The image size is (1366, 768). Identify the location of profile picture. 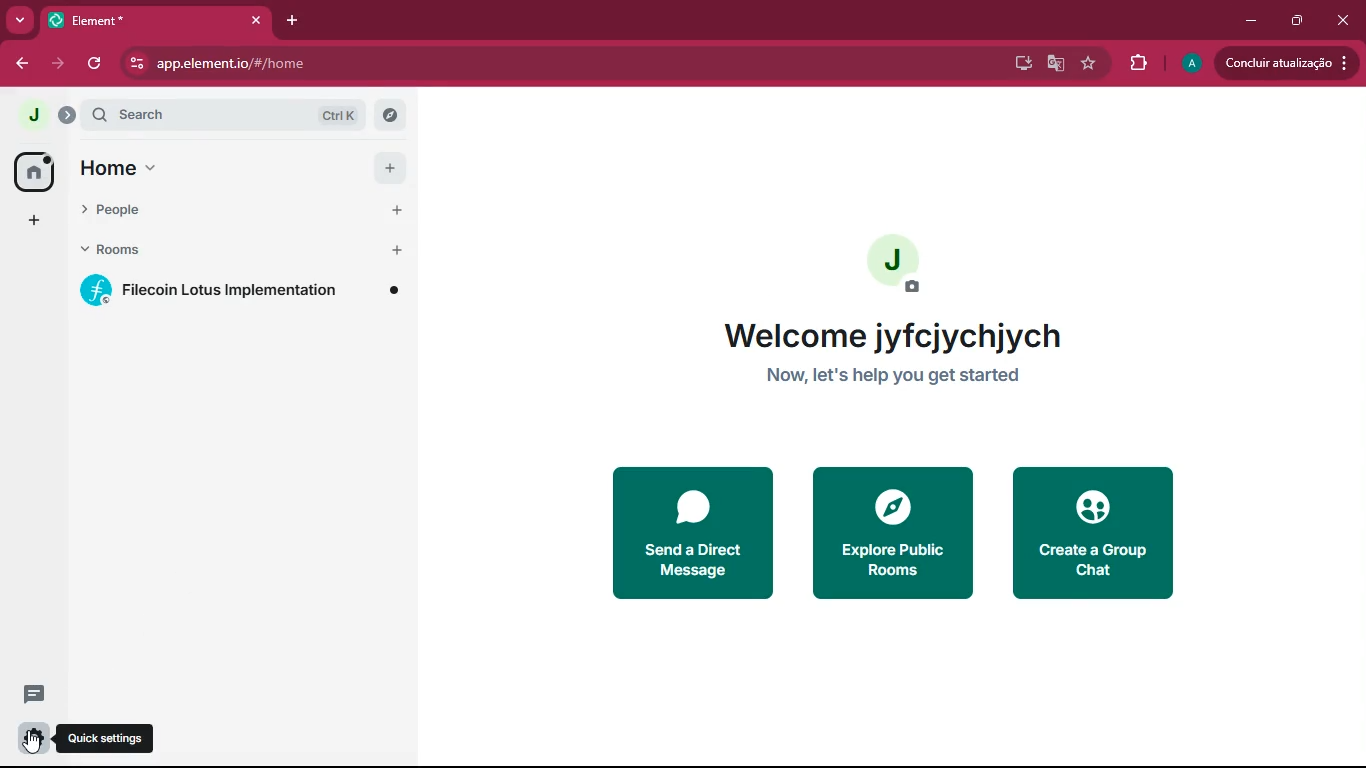
(32, 116).